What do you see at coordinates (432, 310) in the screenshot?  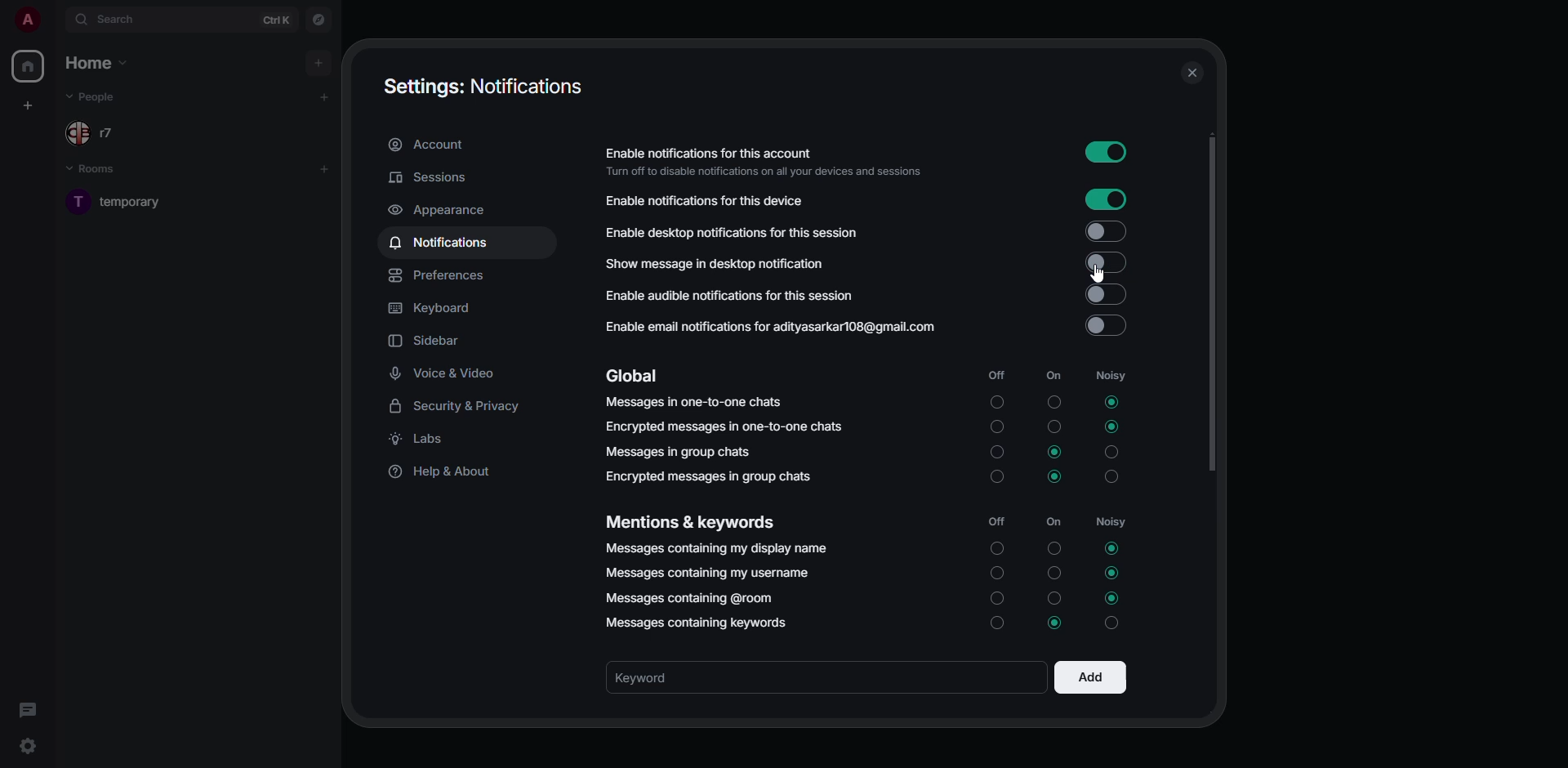 I see `keyboard` at bounding box center [432, 310].